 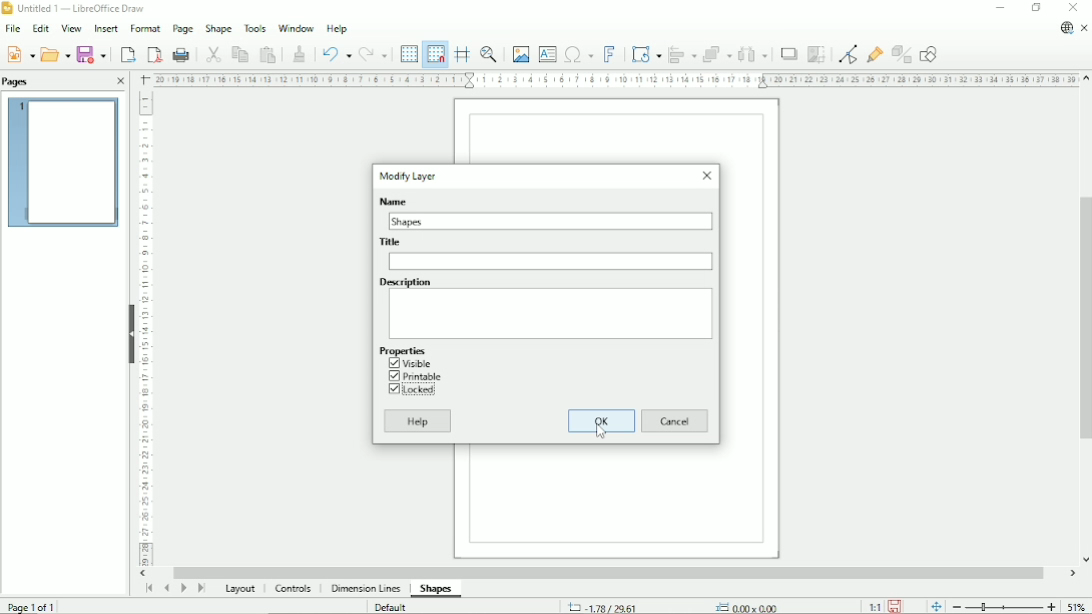 I want to click on Layout, so click(x=238, y=590).